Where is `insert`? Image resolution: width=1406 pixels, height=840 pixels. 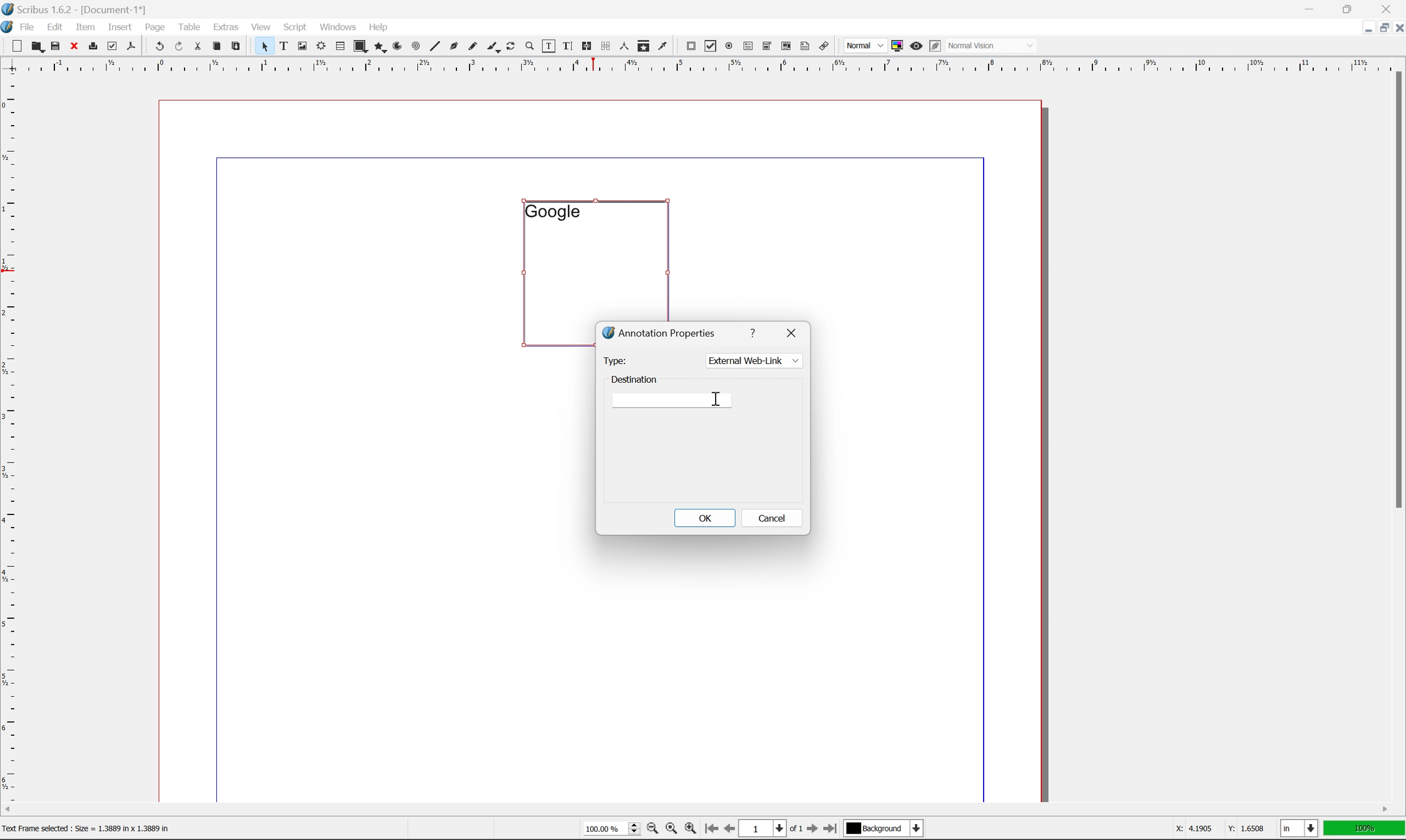
insert is located at coordinates (120, 26).